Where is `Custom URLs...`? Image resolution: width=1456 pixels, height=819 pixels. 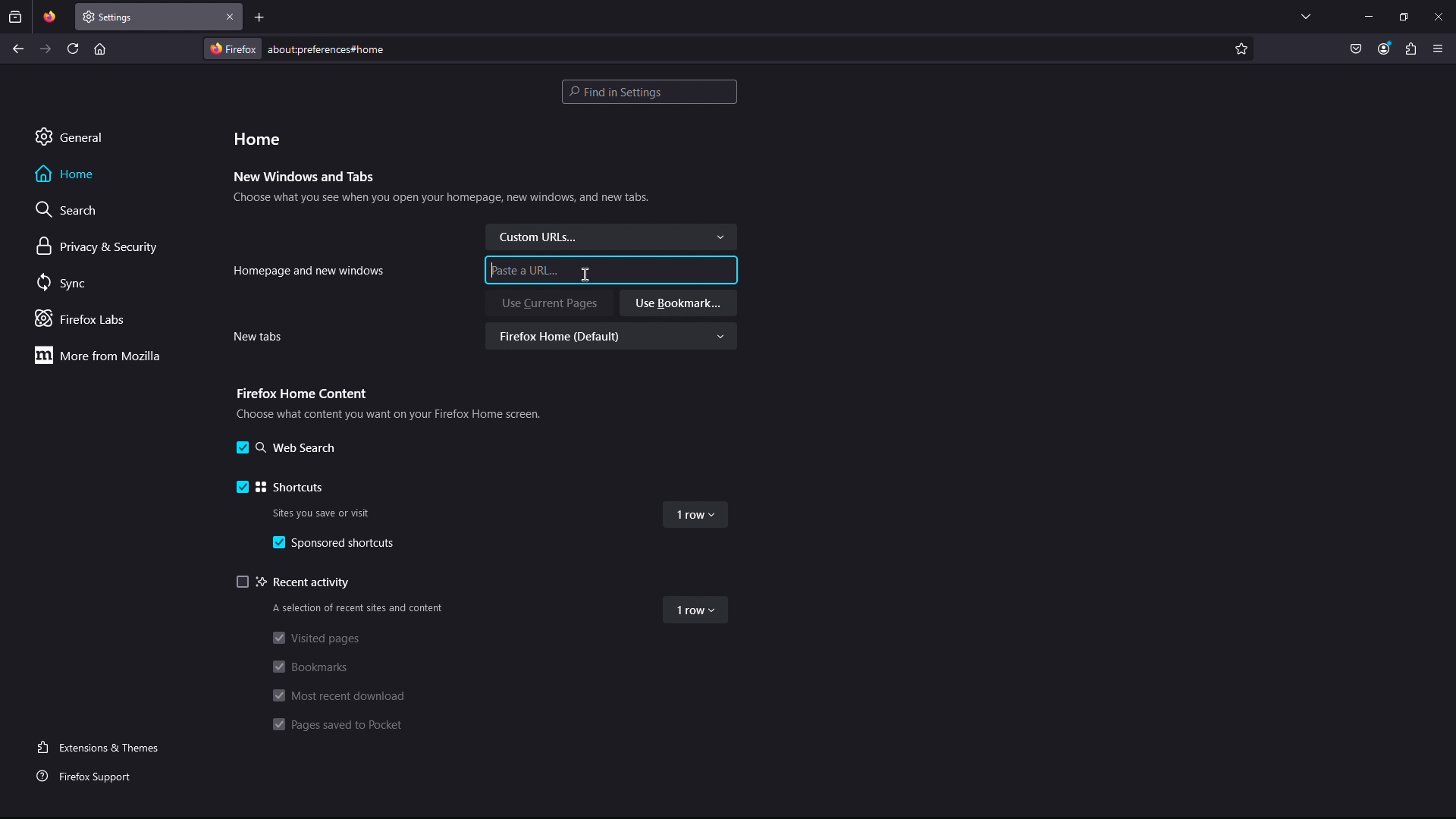
Custom URLs... is located at coordinates (610, 237).